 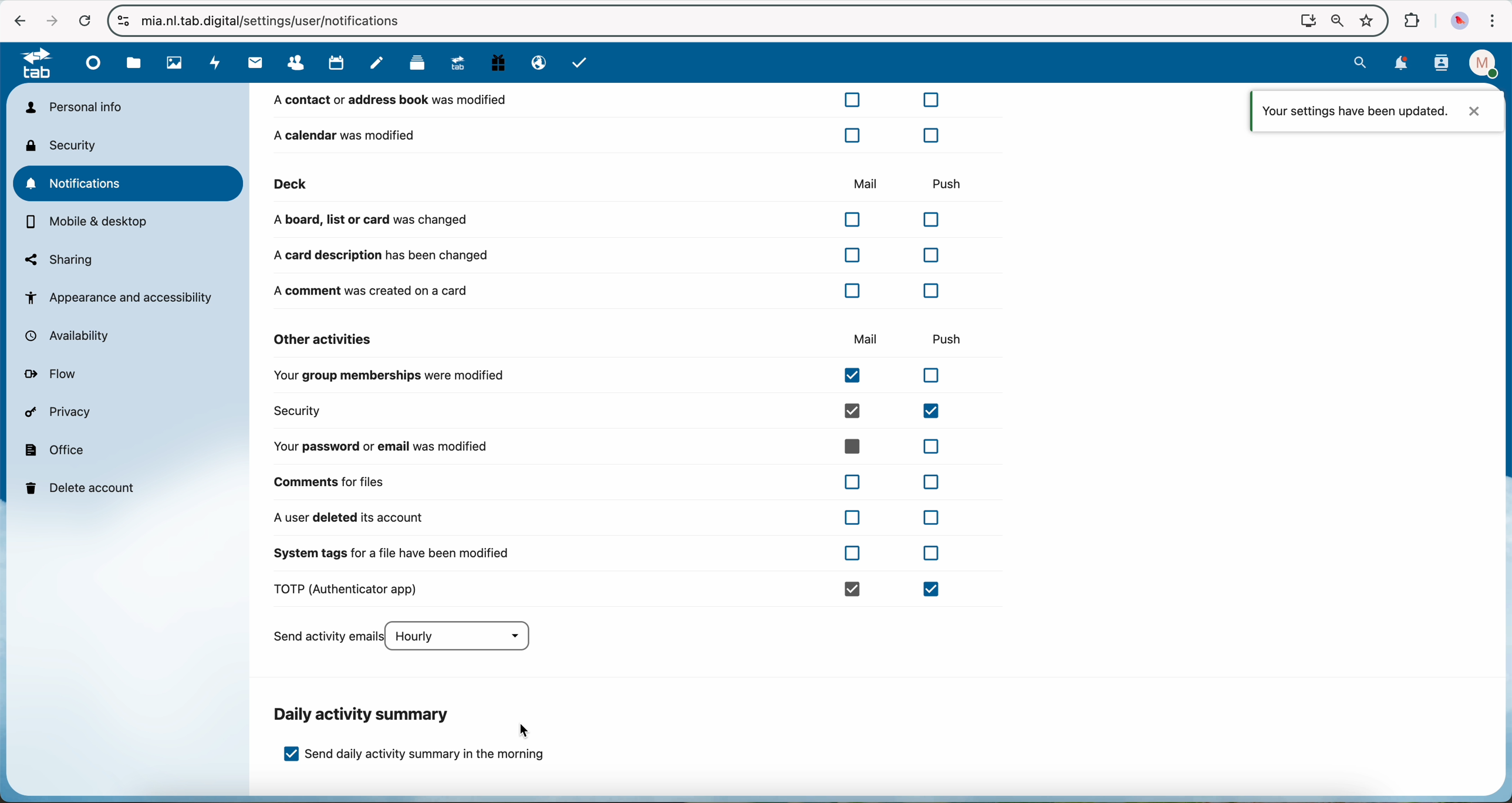 I want to click on sharing, so click(x=59, y=259).